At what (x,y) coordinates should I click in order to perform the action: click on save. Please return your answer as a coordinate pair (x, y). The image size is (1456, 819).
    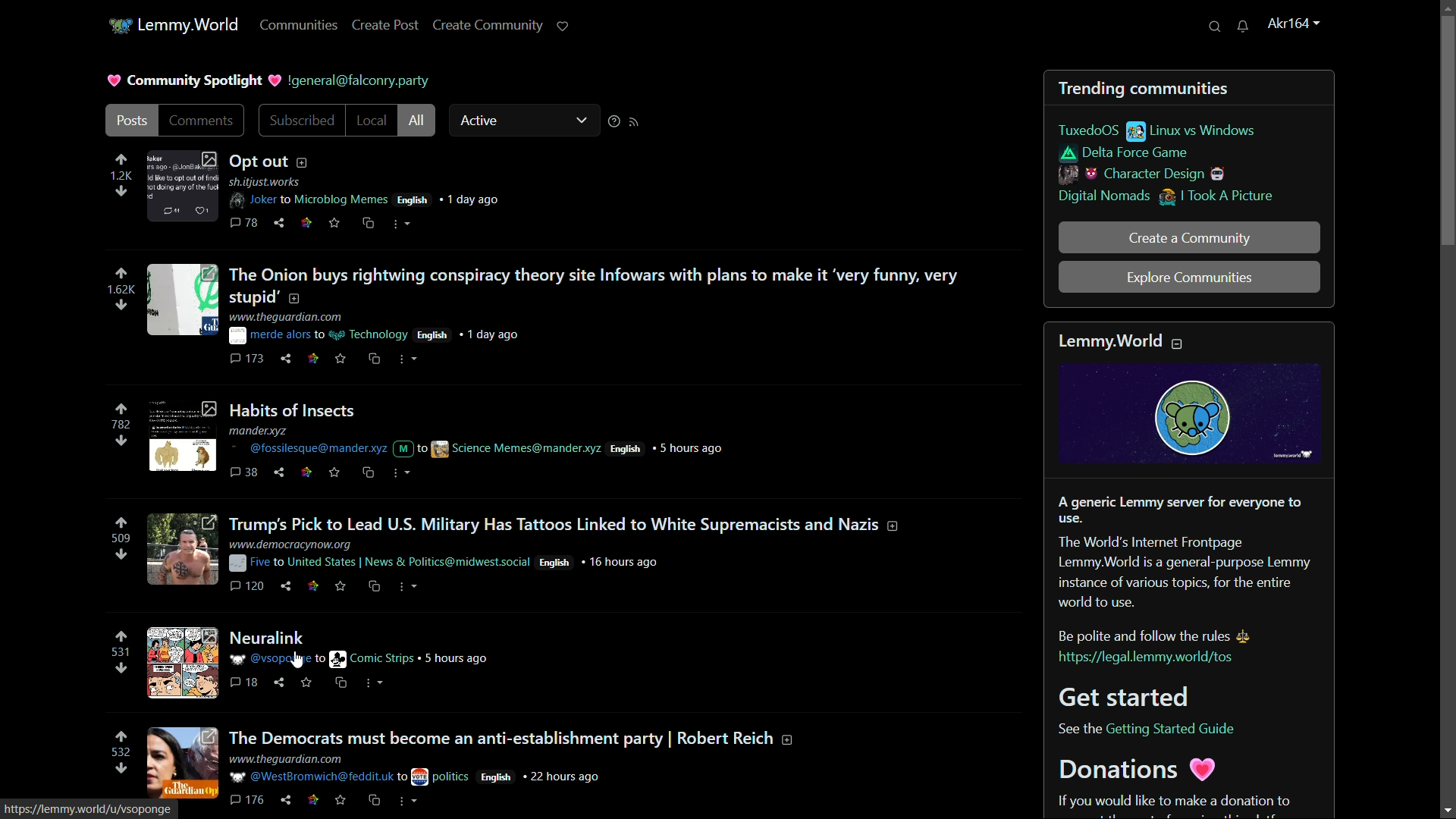
    Looking at the image, I should click on (341, 585).